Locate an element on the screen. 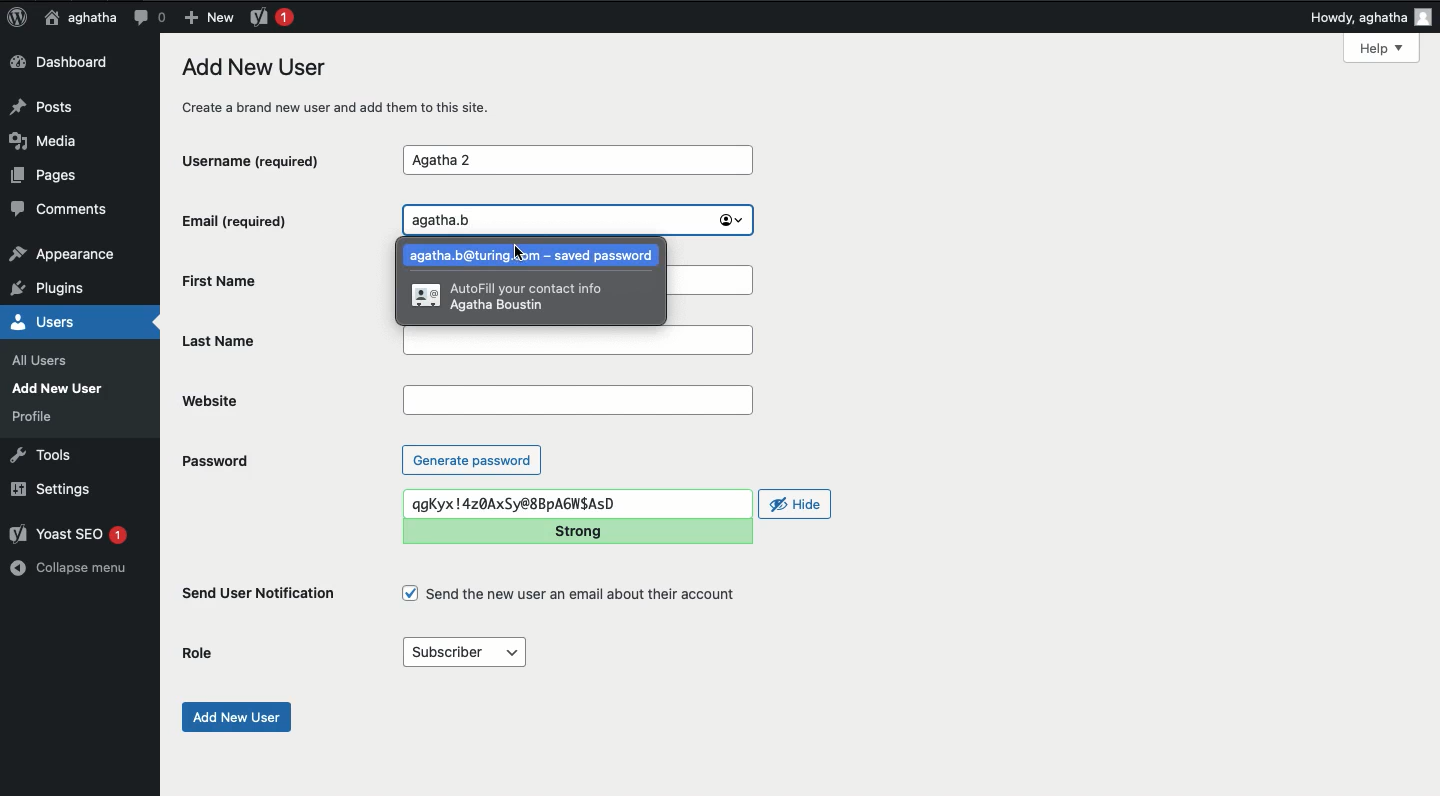 The height and width of the screenshot is (796, 1440). Generate password is located at coordinates (472, 459).